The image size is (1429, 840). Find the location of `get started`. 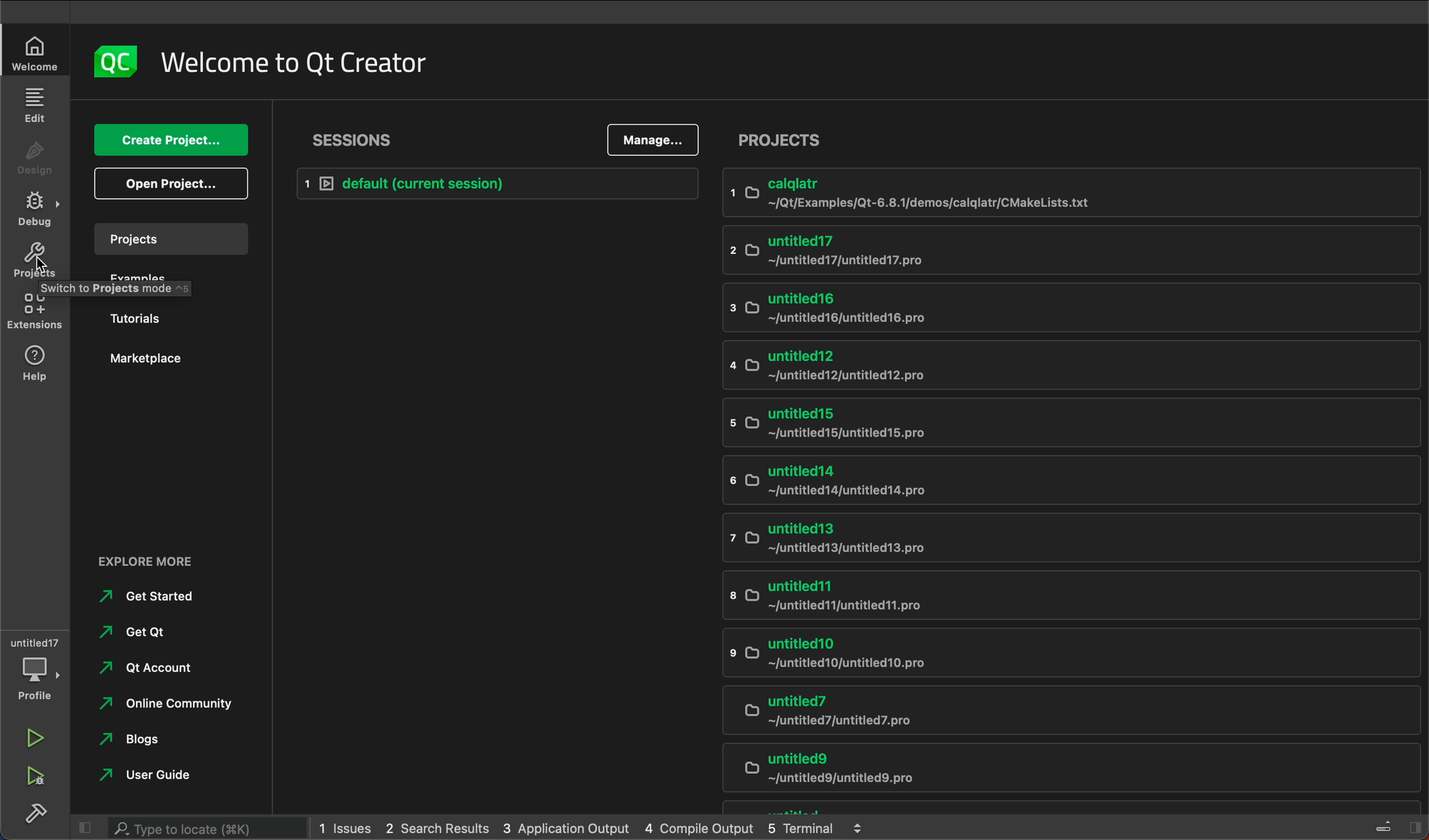

get started is located at coordinates (166, 599).